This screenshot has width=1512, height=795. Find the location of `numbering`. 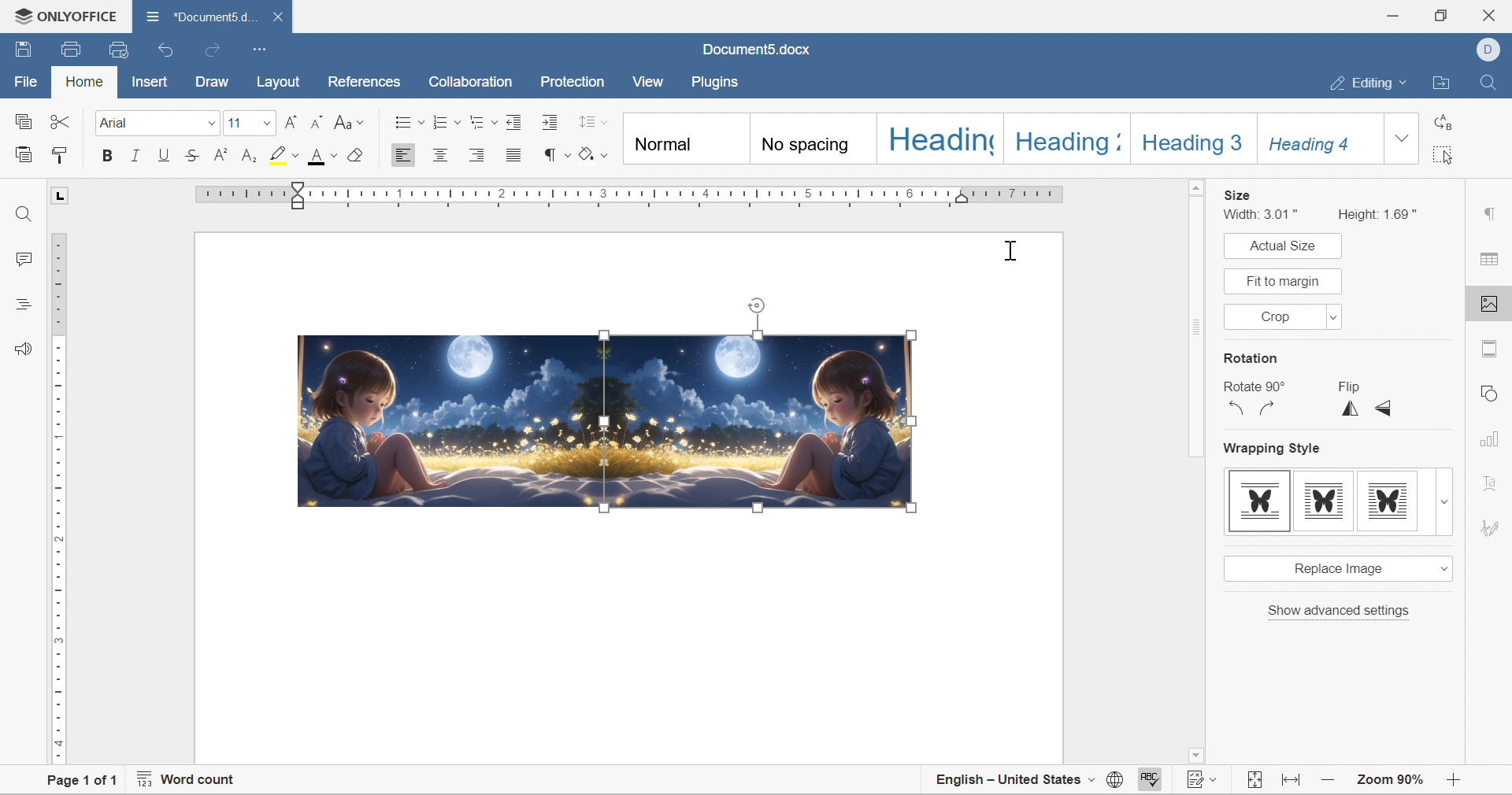

numbering is located at coordinates (447, 122).